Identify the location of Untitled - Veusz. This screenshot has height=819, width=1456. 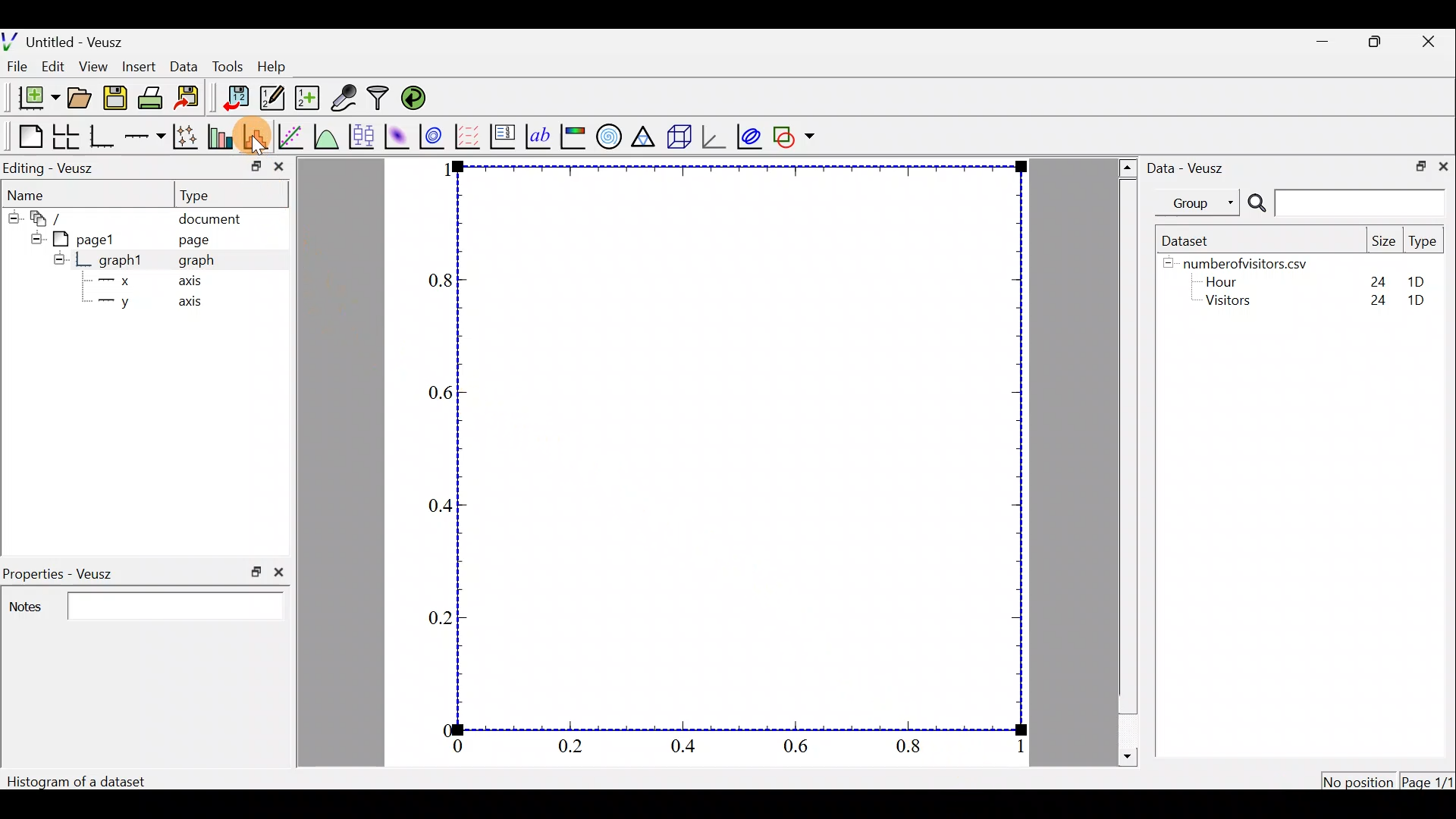
(67, 40).